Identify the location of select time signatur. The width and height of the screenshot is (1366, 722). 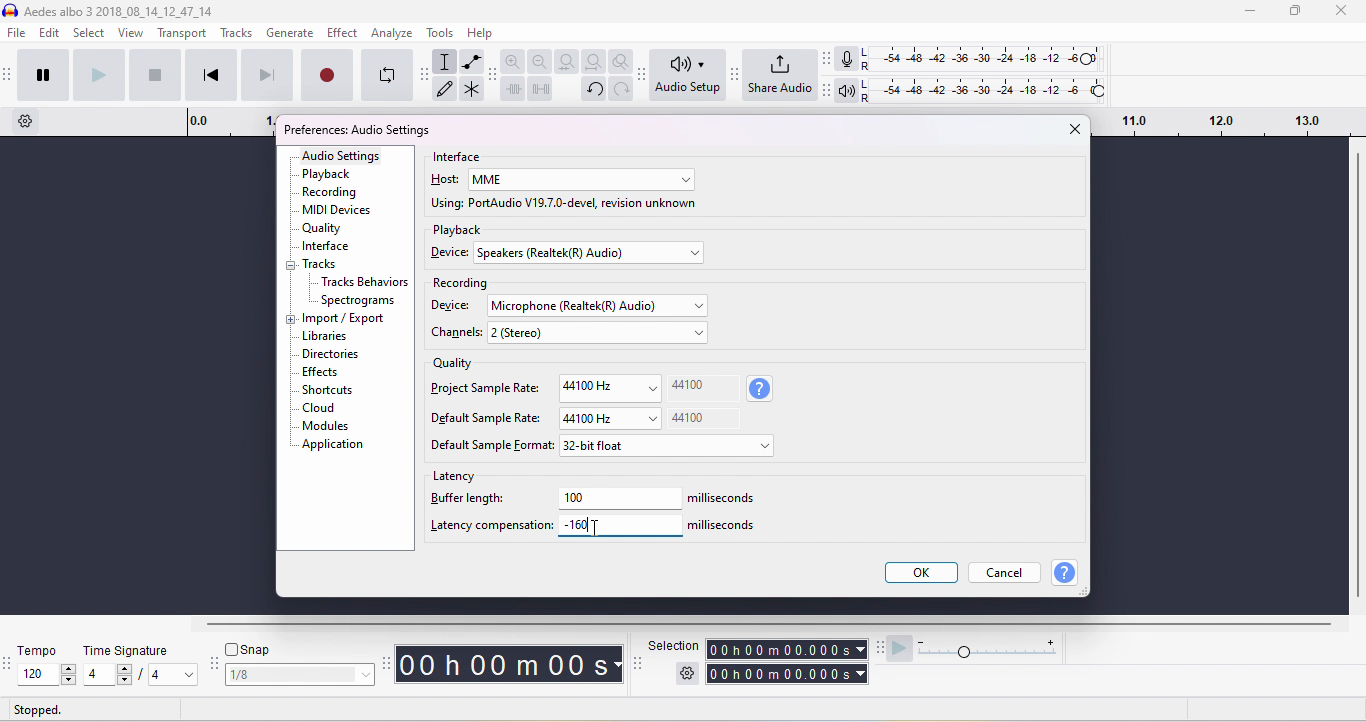
(143, 676).